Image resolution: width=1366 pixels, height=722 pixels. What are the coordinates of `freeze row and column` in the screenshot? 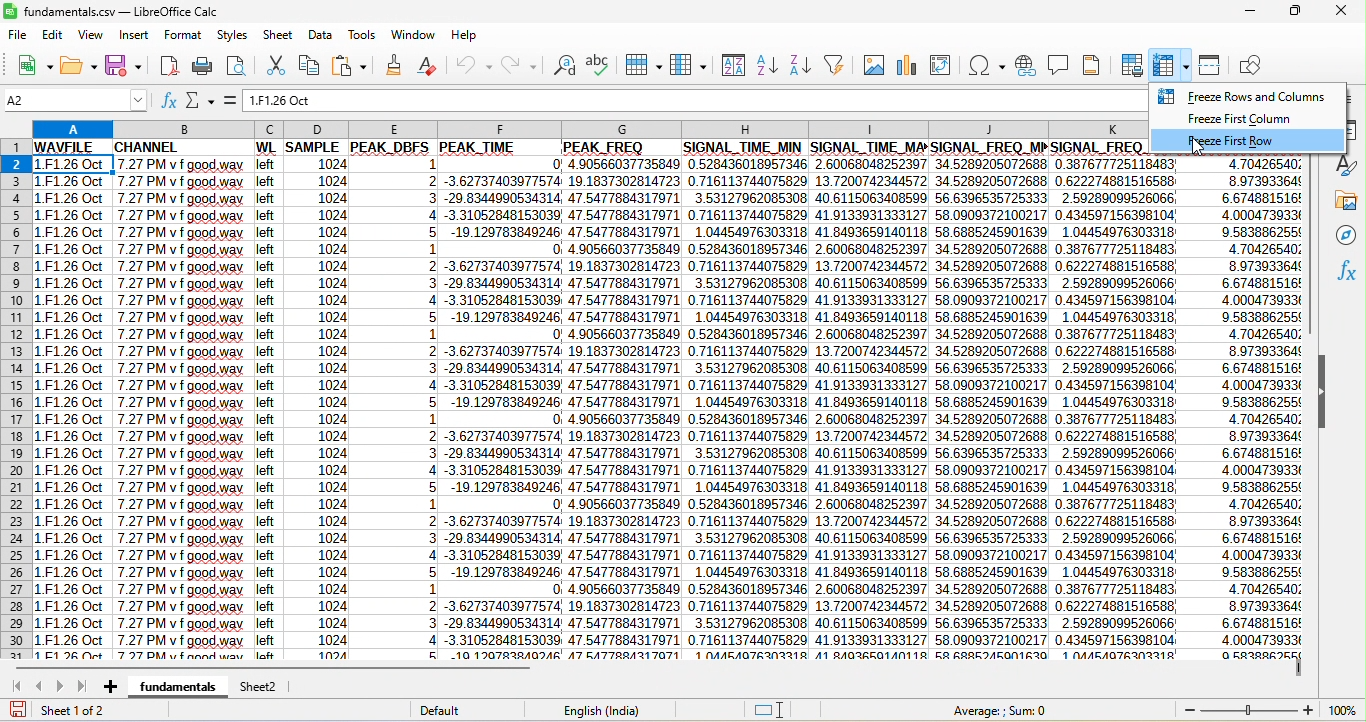 It's located at (1173, 62).